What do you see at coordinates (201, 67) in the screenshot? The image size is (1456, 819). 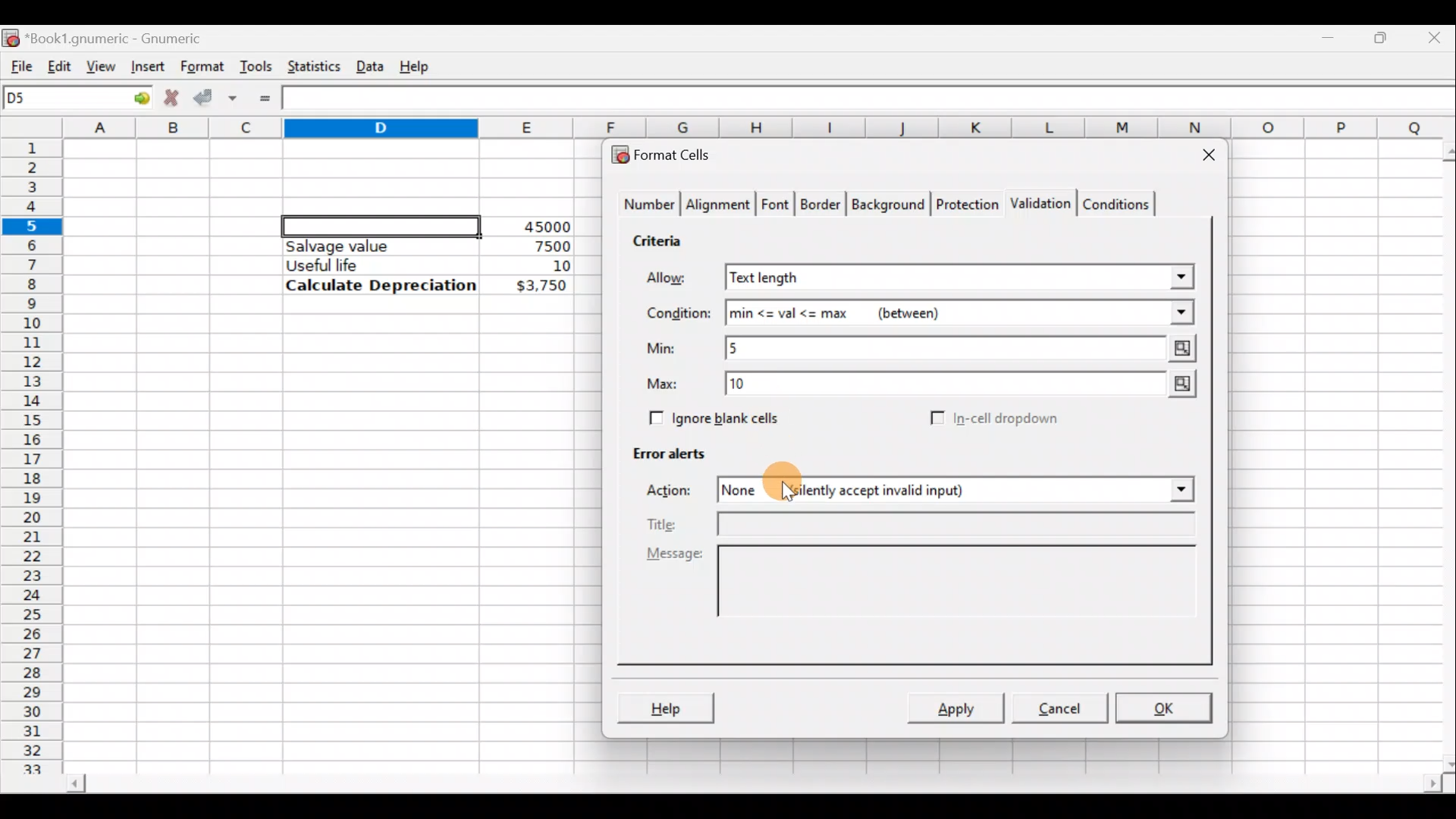 I see `Format` at bounding box center [201, 67].